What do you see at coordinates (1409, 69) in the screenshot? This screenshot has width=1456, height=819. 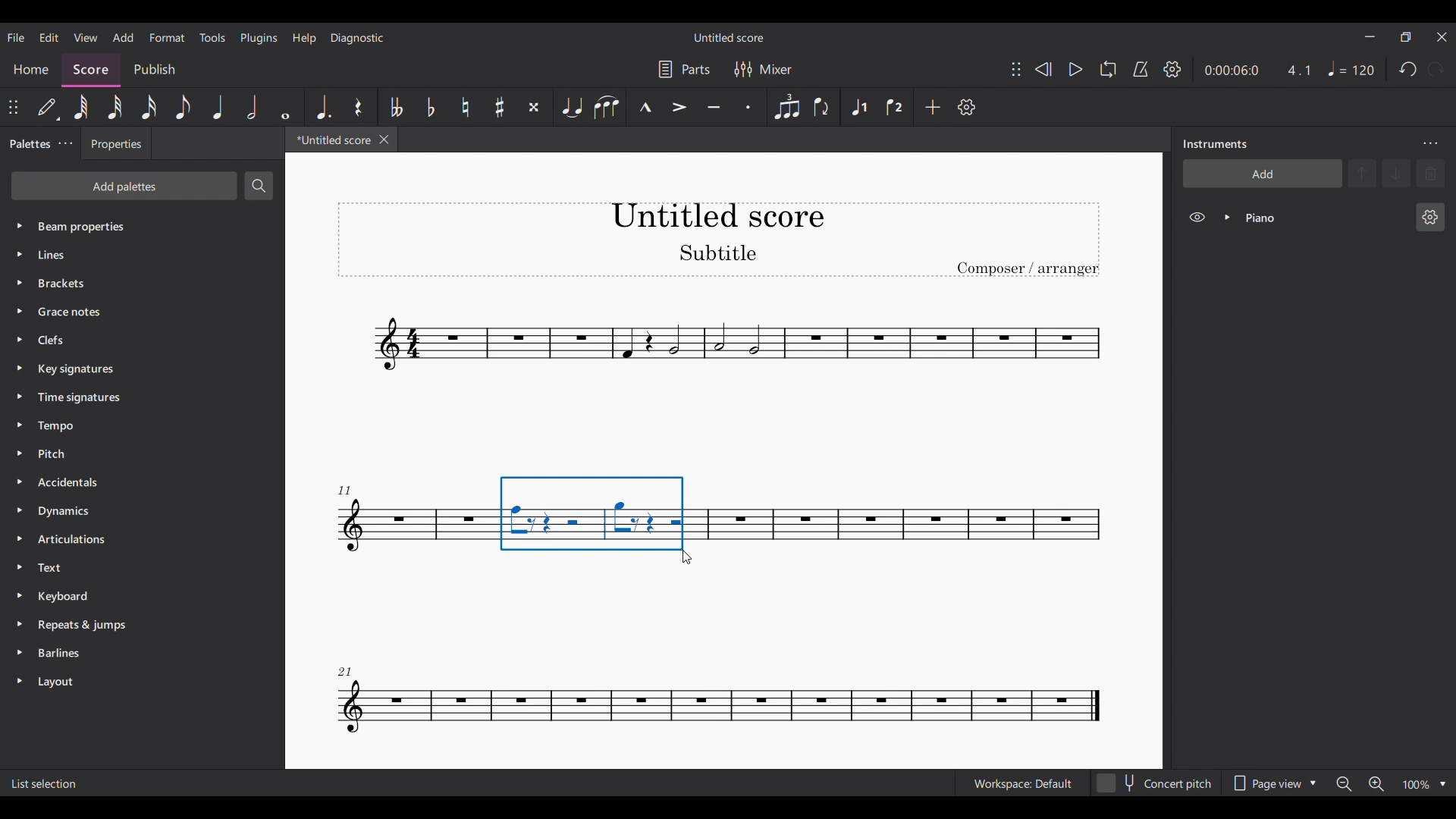 I see `Undo` at bounding box center [1409, 69].